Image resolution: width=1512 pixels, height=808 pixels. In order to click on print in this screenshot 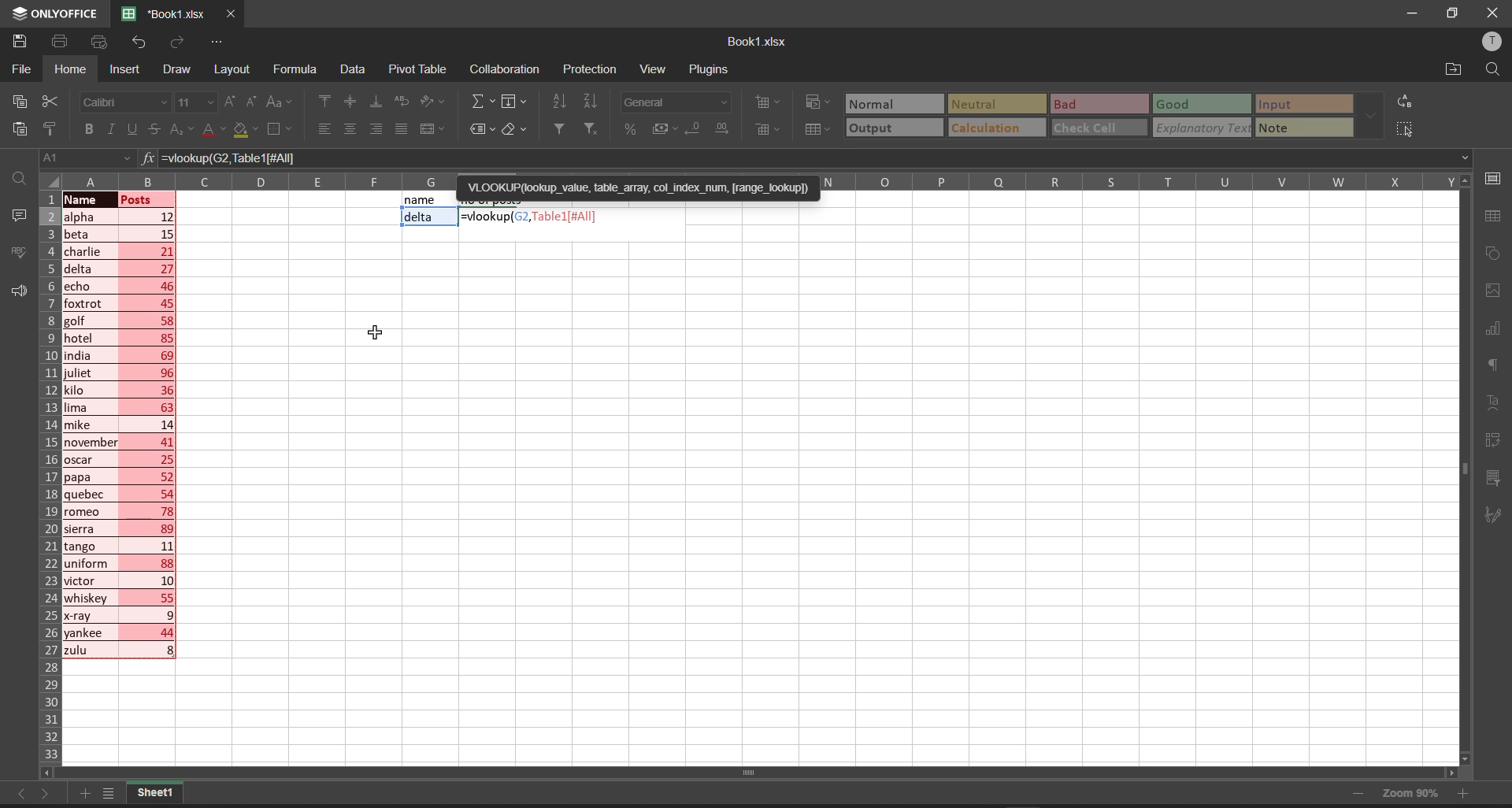, I will do `click(61, 43)`.